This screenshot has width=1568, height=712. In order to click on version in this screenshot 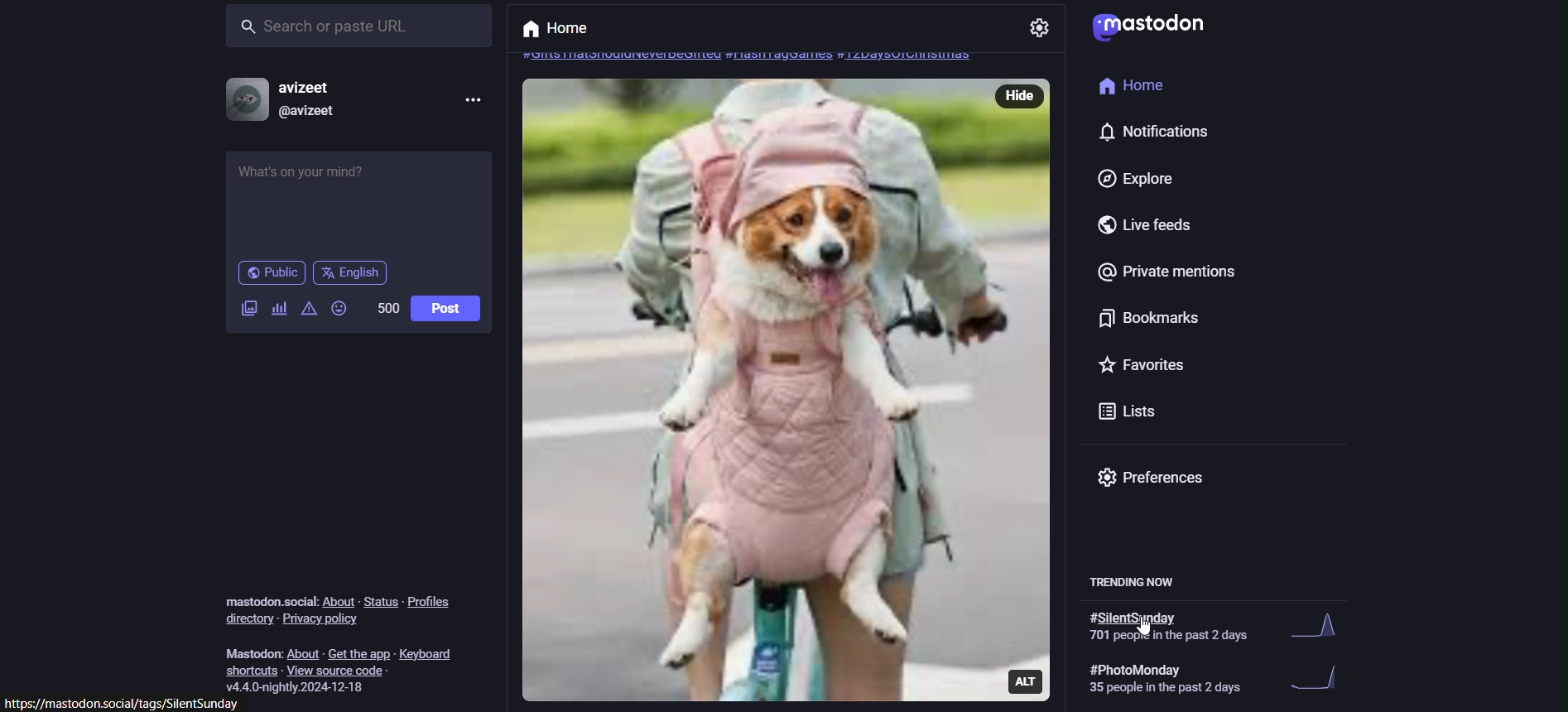, I will do `click(300, 686)`.